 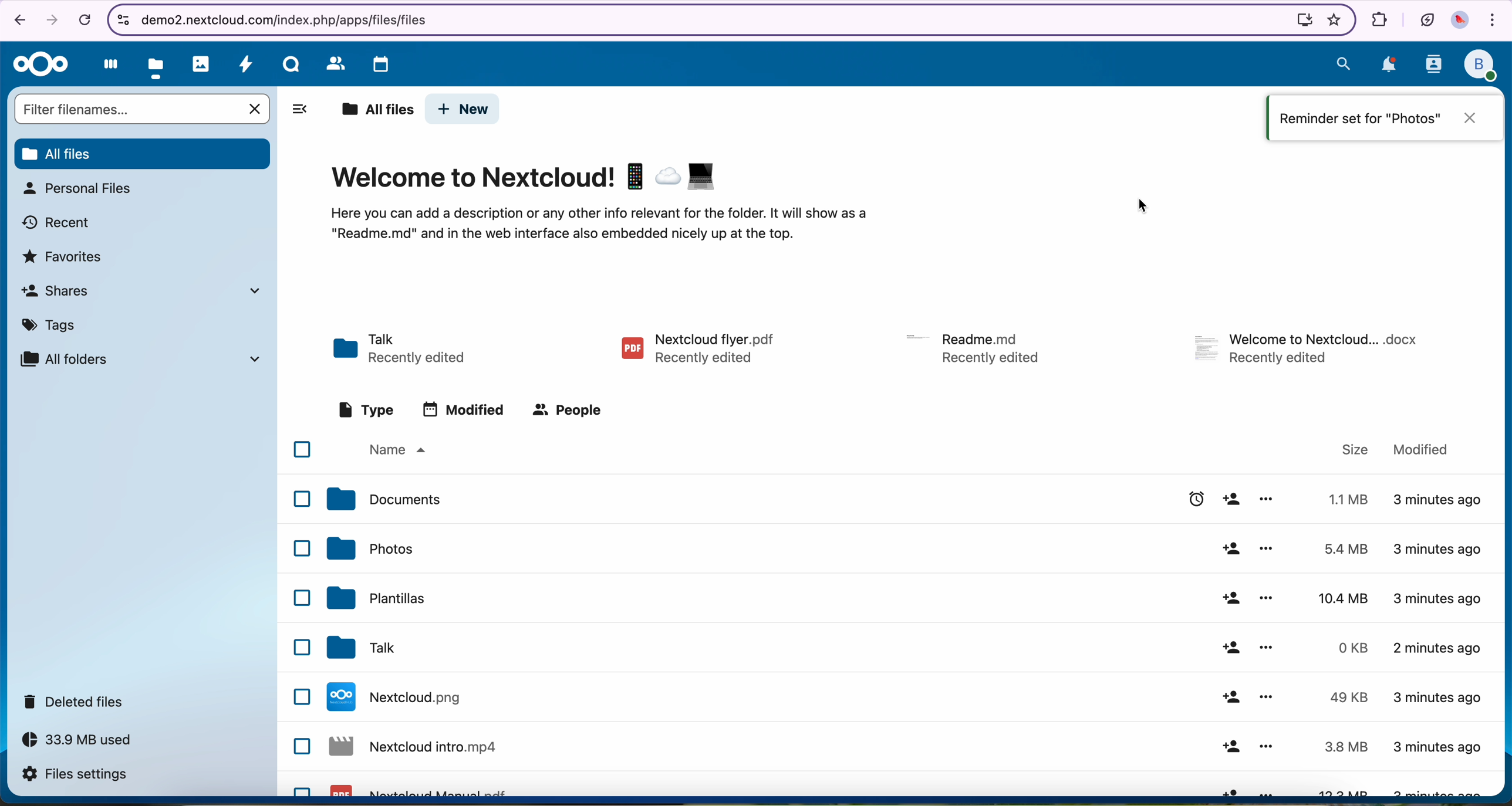 What do you see at coordinates (121, 18) in the screenshot?
I see `controls` at bounding box center [121, 18].